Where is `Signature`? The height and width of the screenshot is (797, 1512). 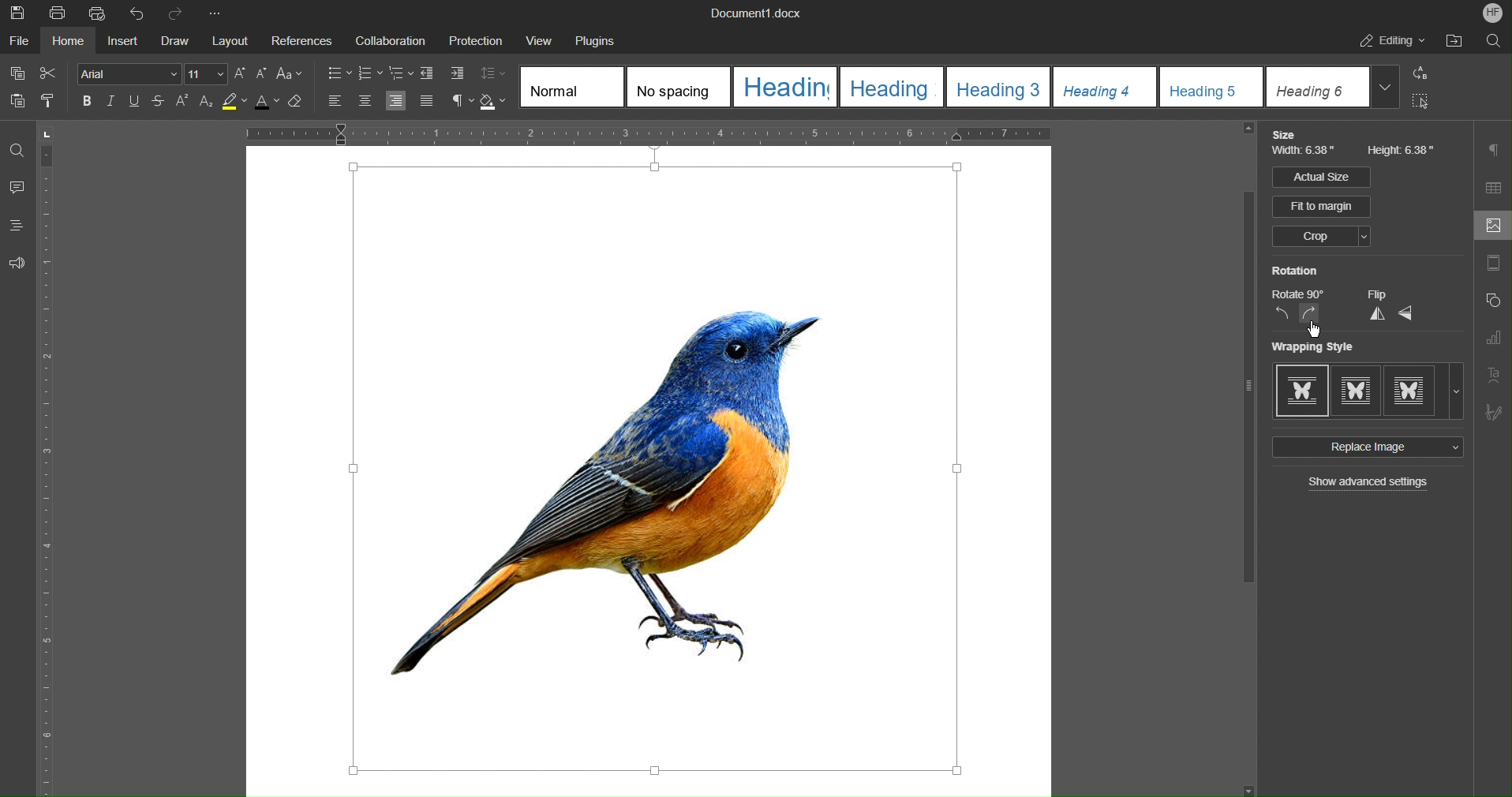 Signature is located at coordinates (1493, 412).